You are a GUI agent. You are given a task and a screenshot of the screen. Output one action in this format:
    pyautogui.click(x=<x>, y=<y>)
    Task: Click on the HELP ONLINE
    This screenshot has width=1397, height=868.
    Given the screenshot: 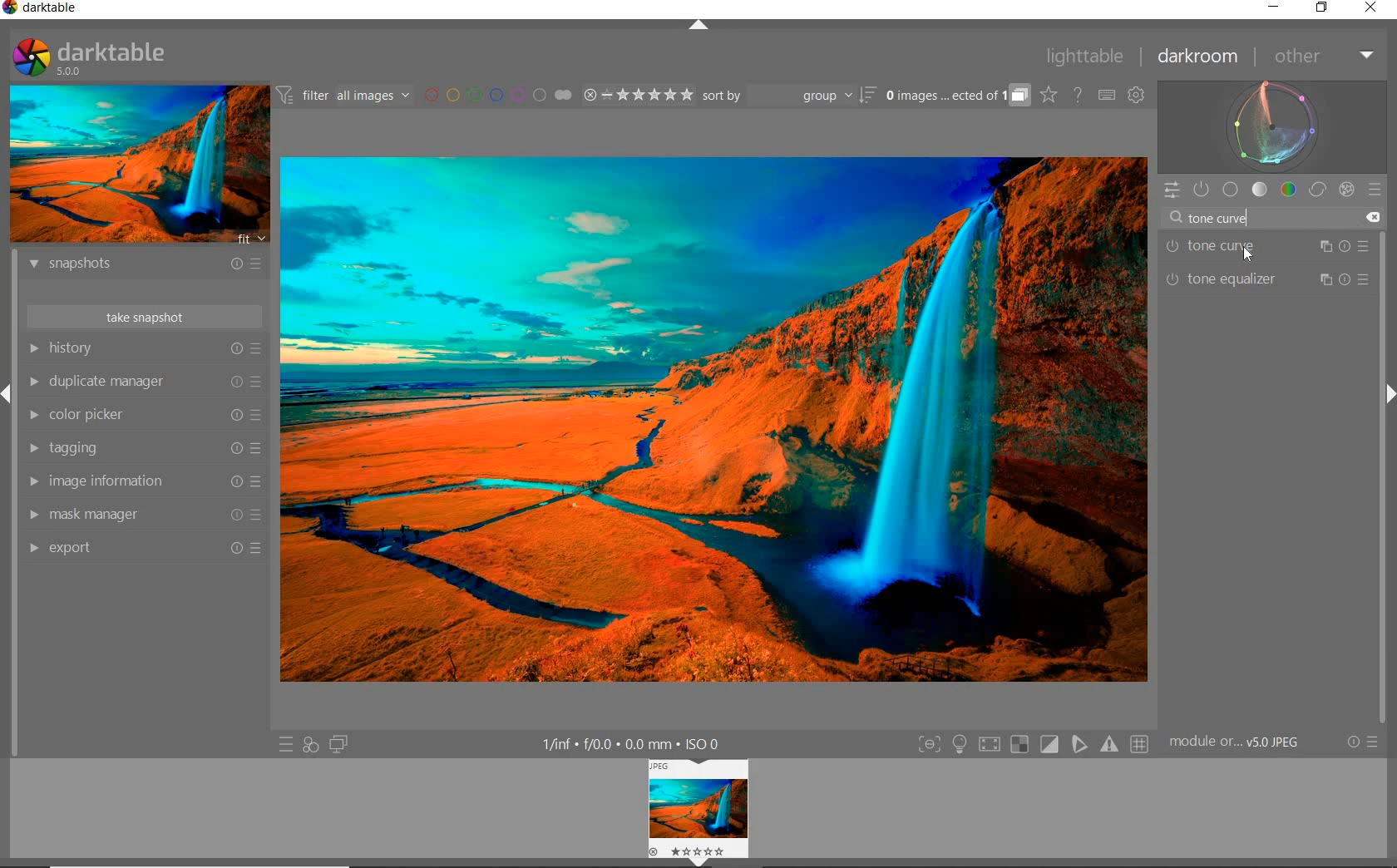 What is the action you would take?
    pyautogui.click(x=1078, y=95)
    